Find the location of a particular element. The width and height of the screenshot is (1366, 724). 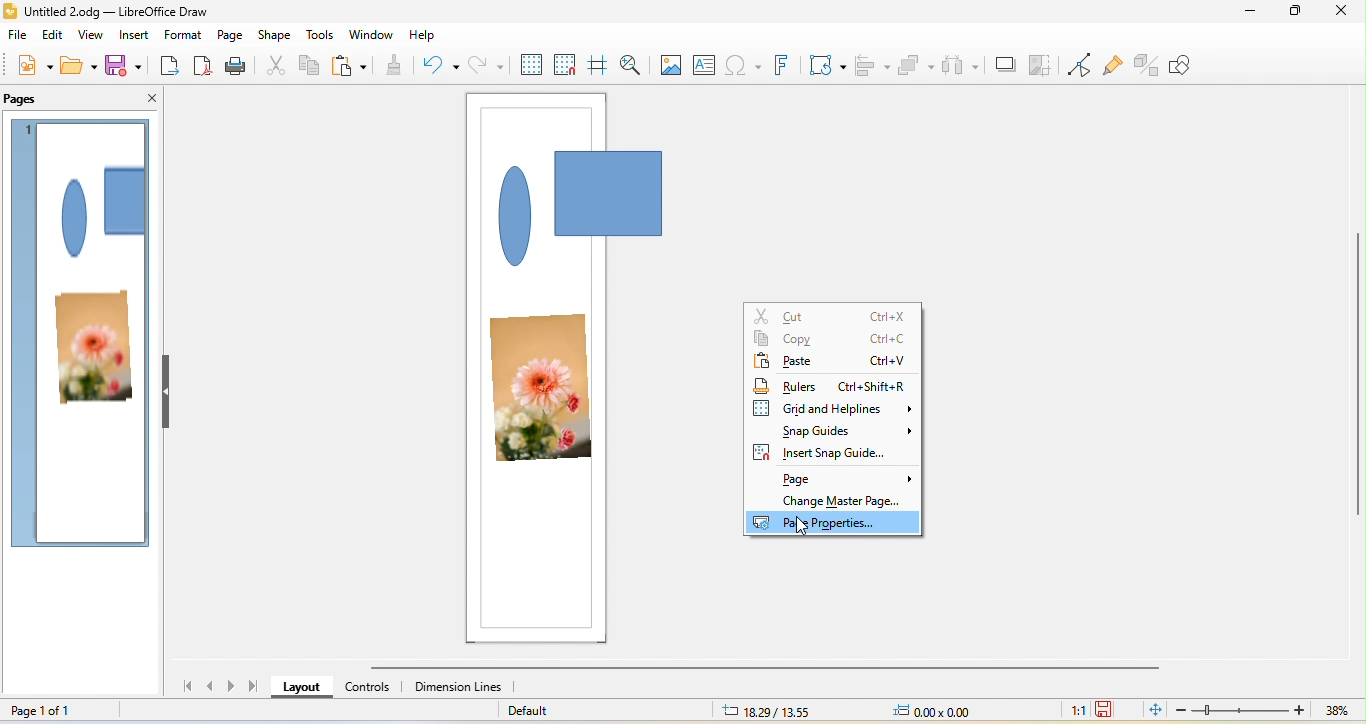

photo is located at coordinates (542, 388).